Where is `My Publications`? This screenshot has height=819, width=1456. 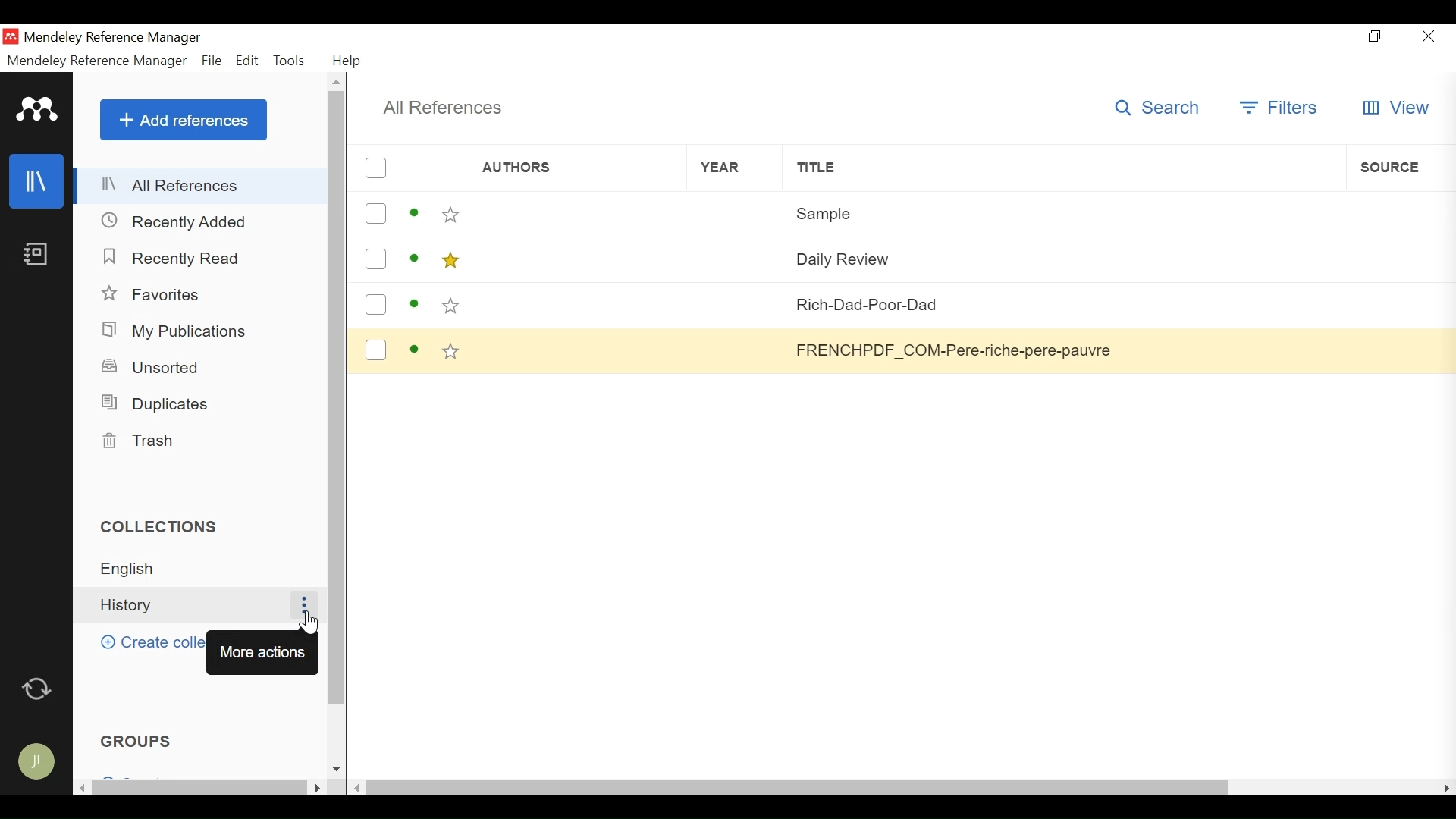 My Publications is located at coordinates (178, 331).